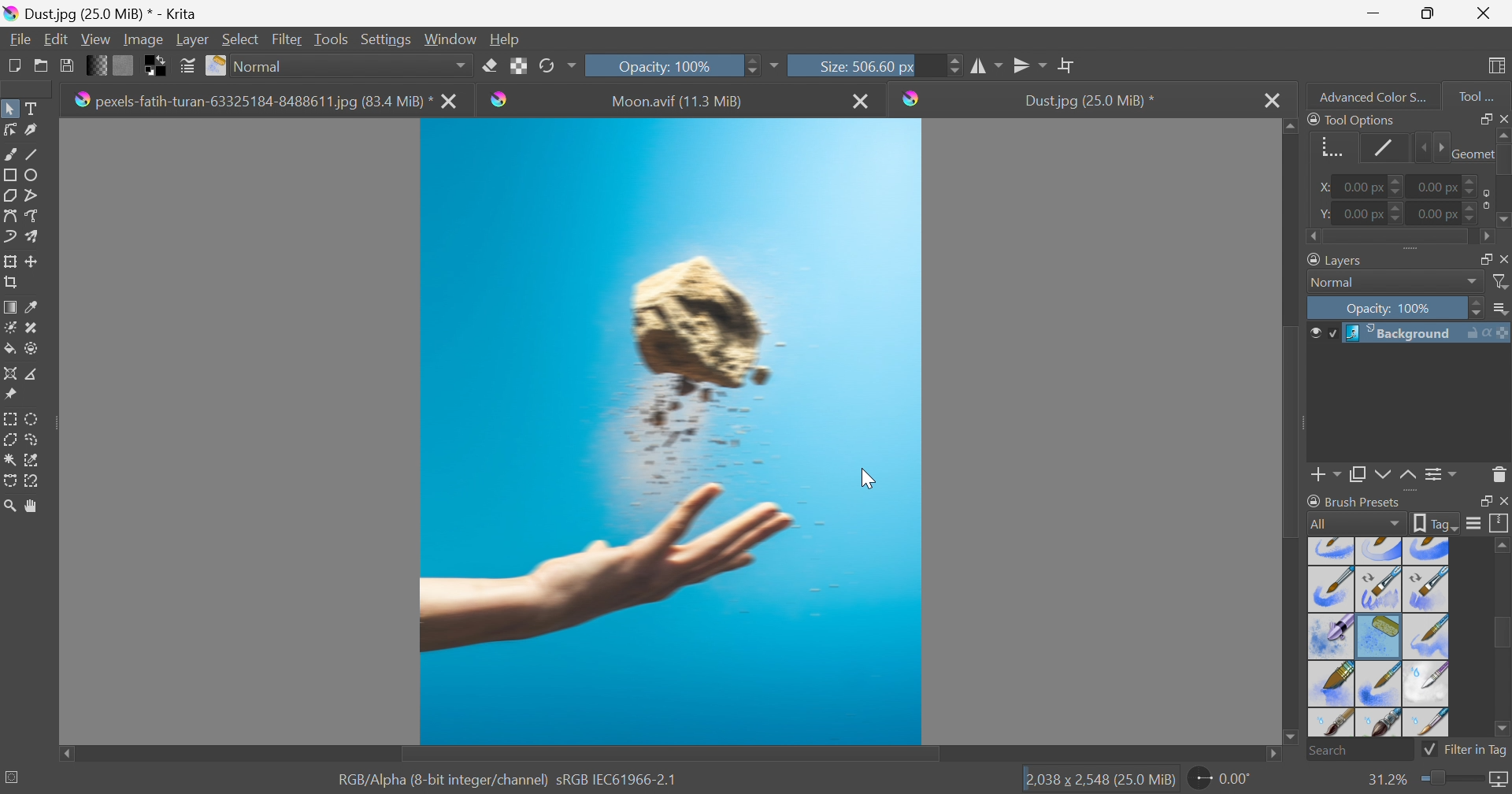 The width and height of the screenshot is (1512, 794). I want to click on Restore Down, so click(1428, 13).